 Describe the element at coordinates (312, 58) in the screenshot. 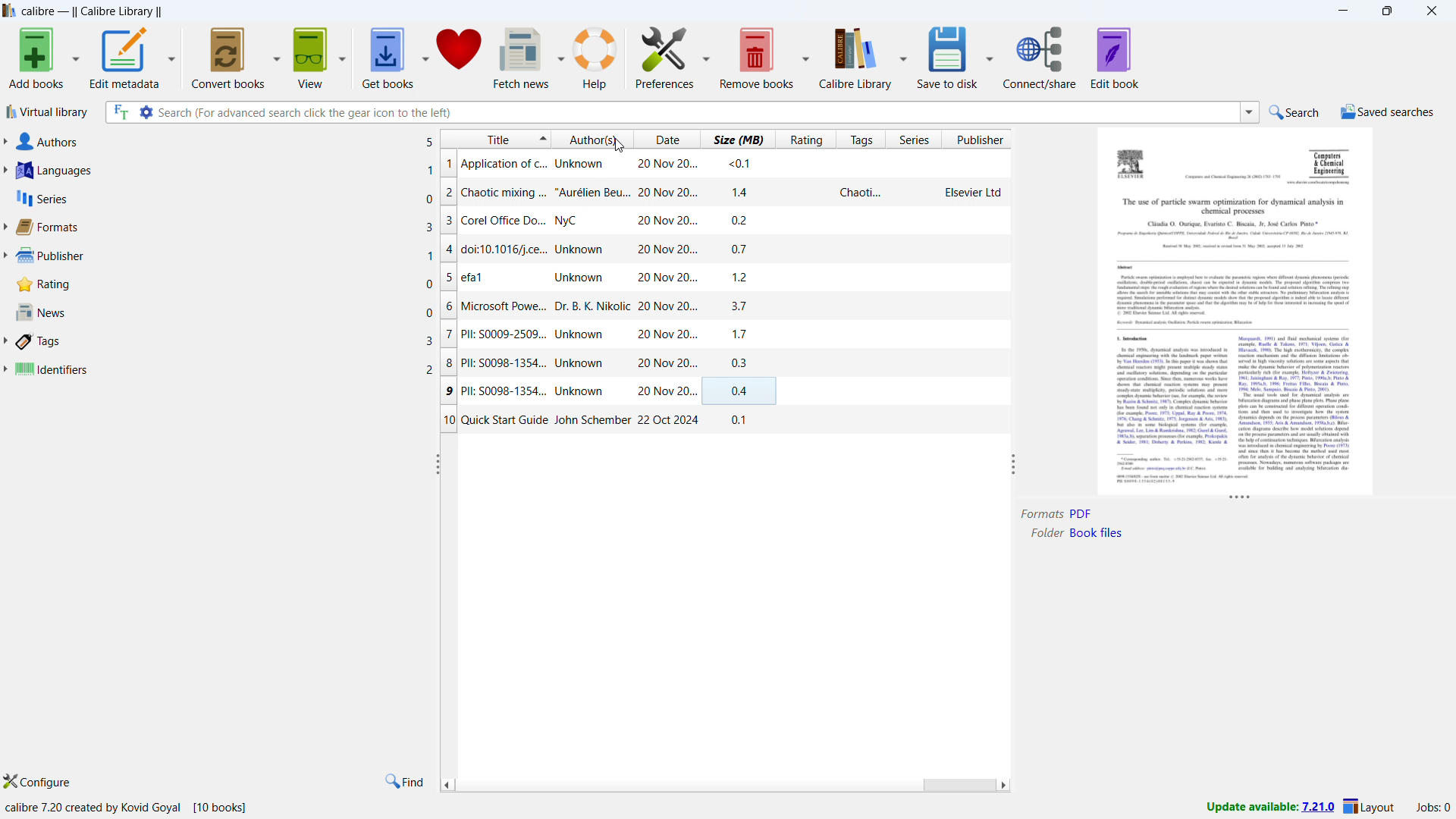

I see `view` at that location.